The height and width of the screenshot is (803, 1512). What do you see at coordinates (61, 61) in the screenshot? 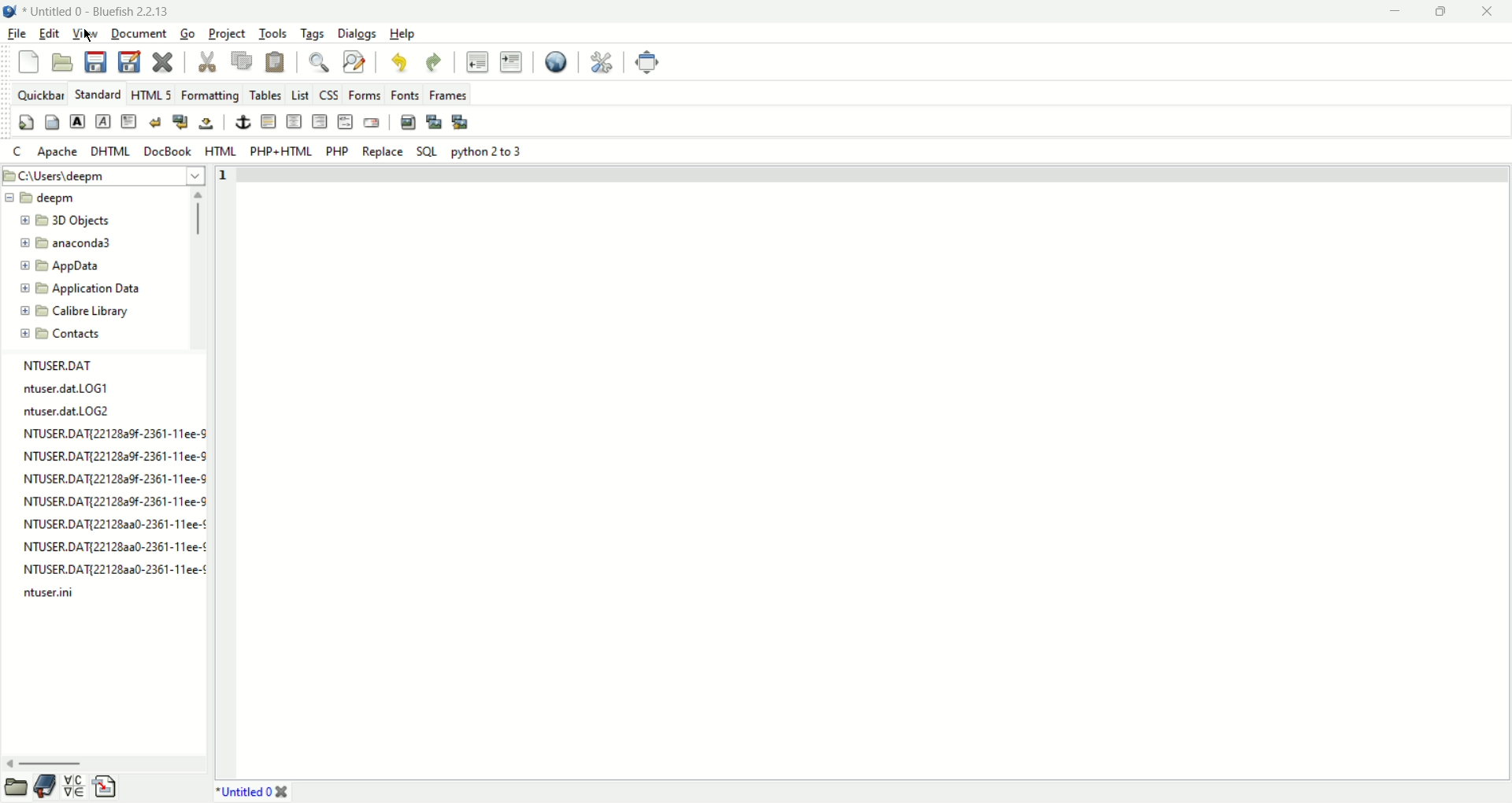
I see `open file` at bounding box center [61, 61].